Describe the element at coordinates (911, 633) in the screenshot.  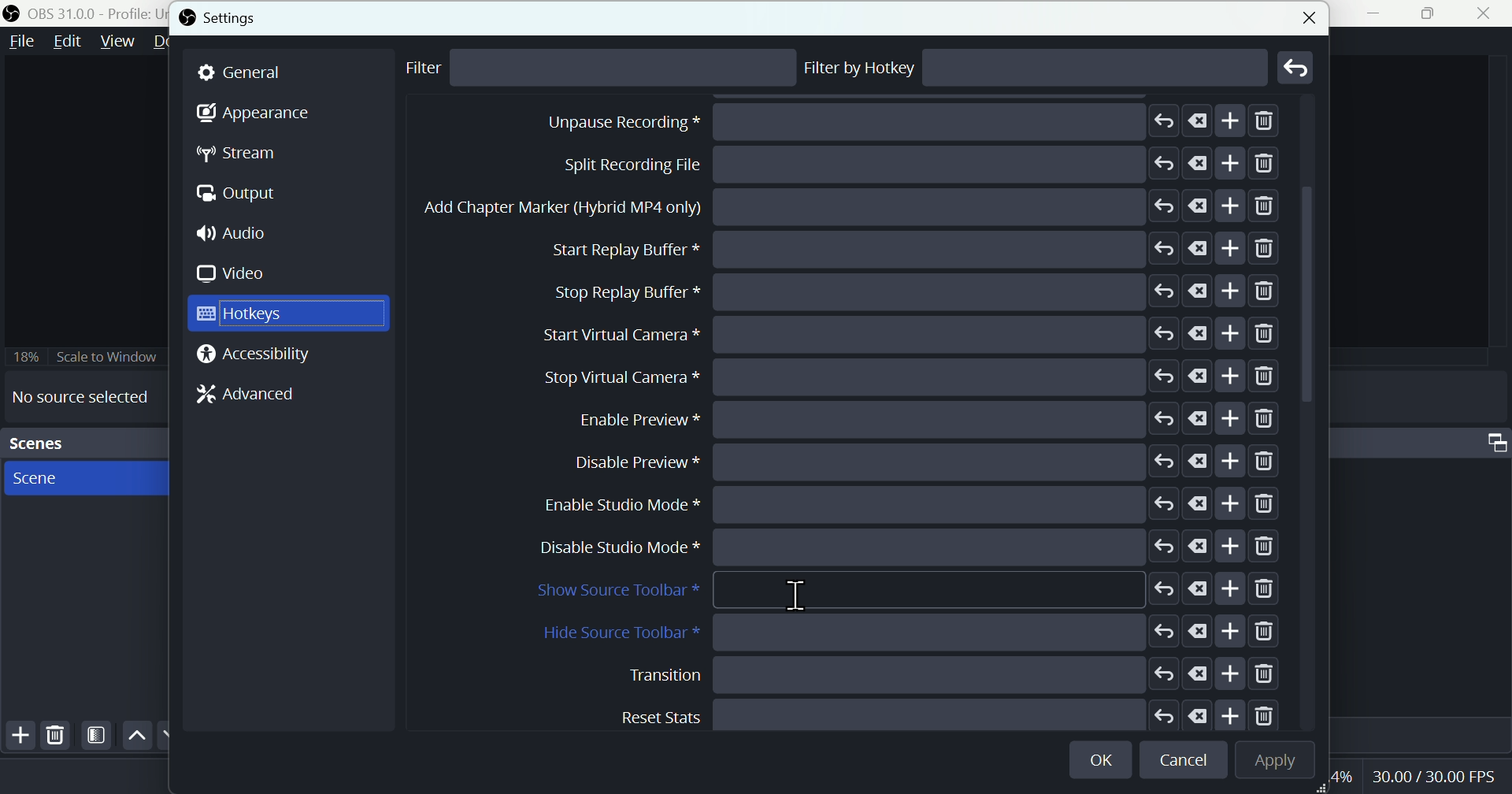
I see `Height source toolbar` at that location.